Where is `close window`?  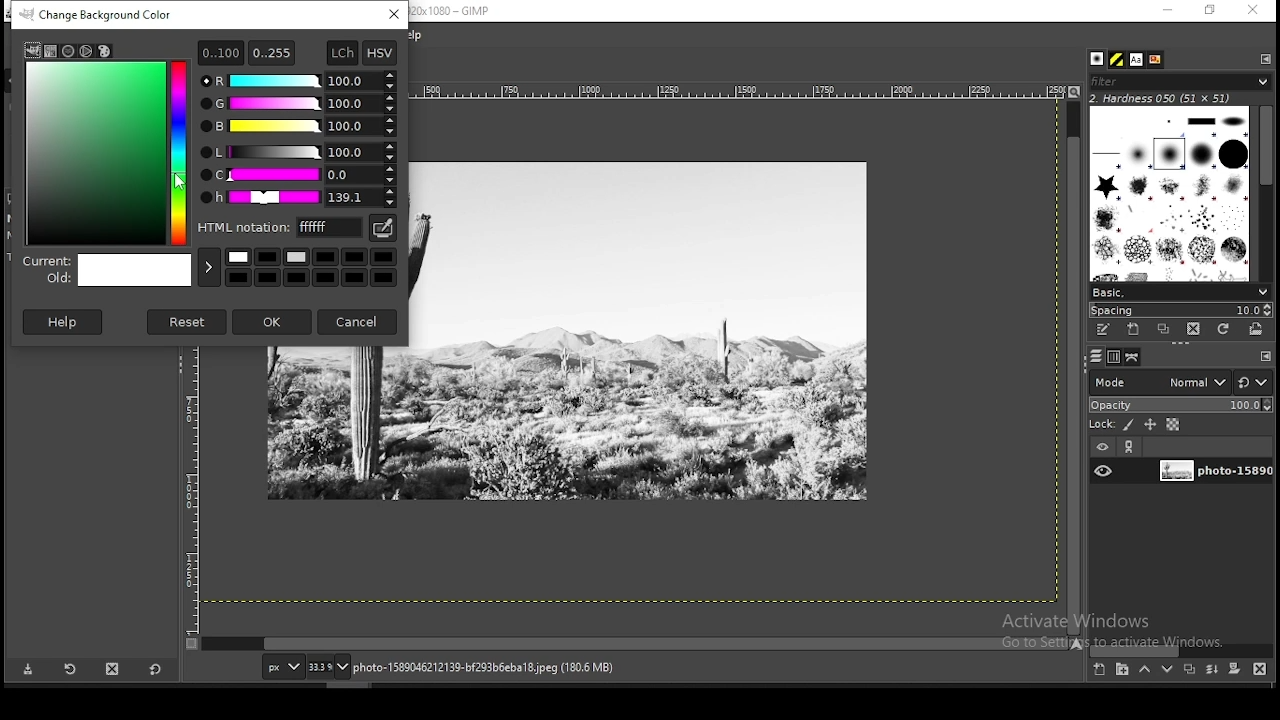
close window is located at coordinates (395, 14).